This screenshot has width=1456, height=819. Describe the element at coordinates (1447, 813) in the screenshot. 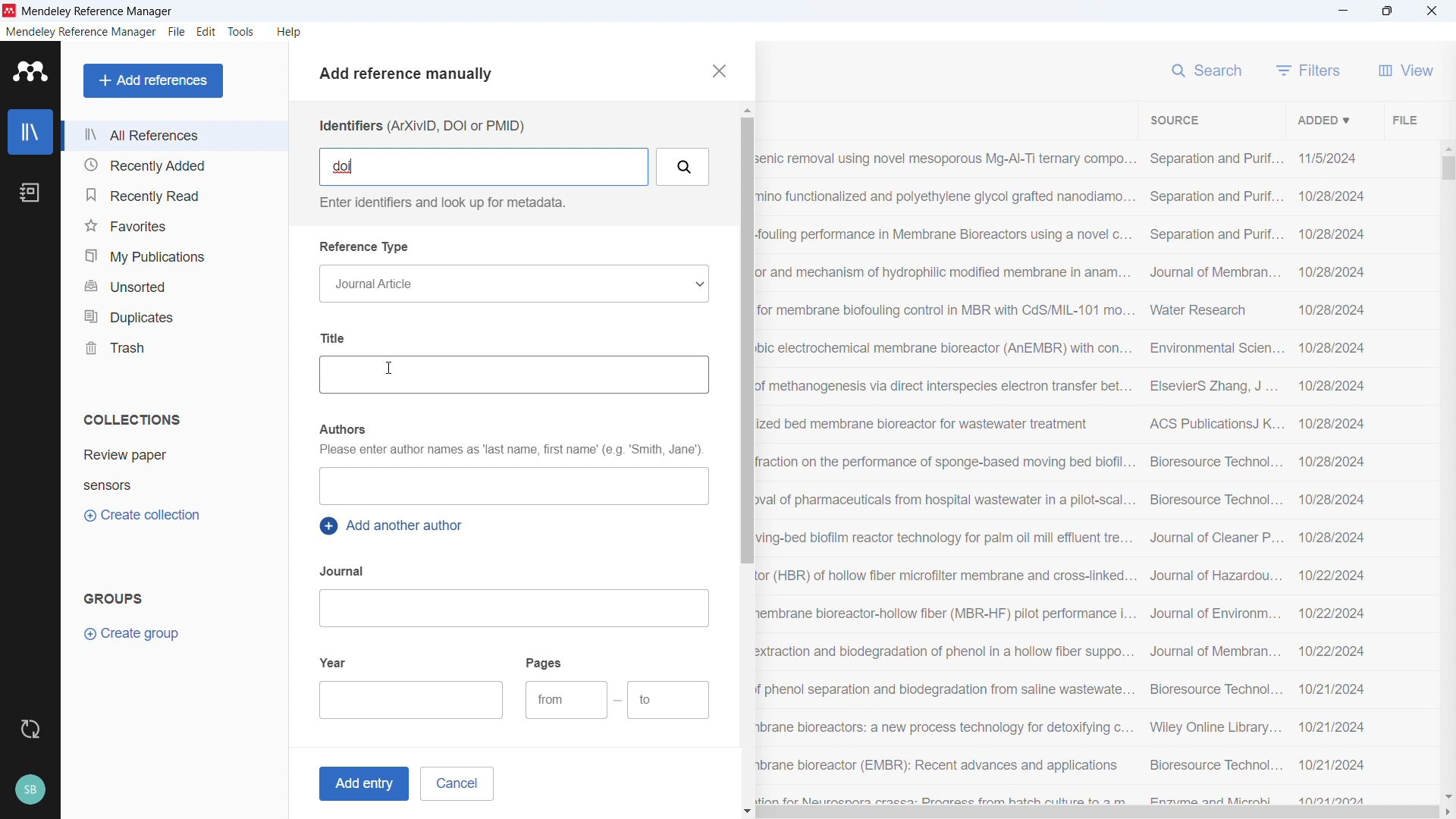

I see `Scroll right ` at that location.